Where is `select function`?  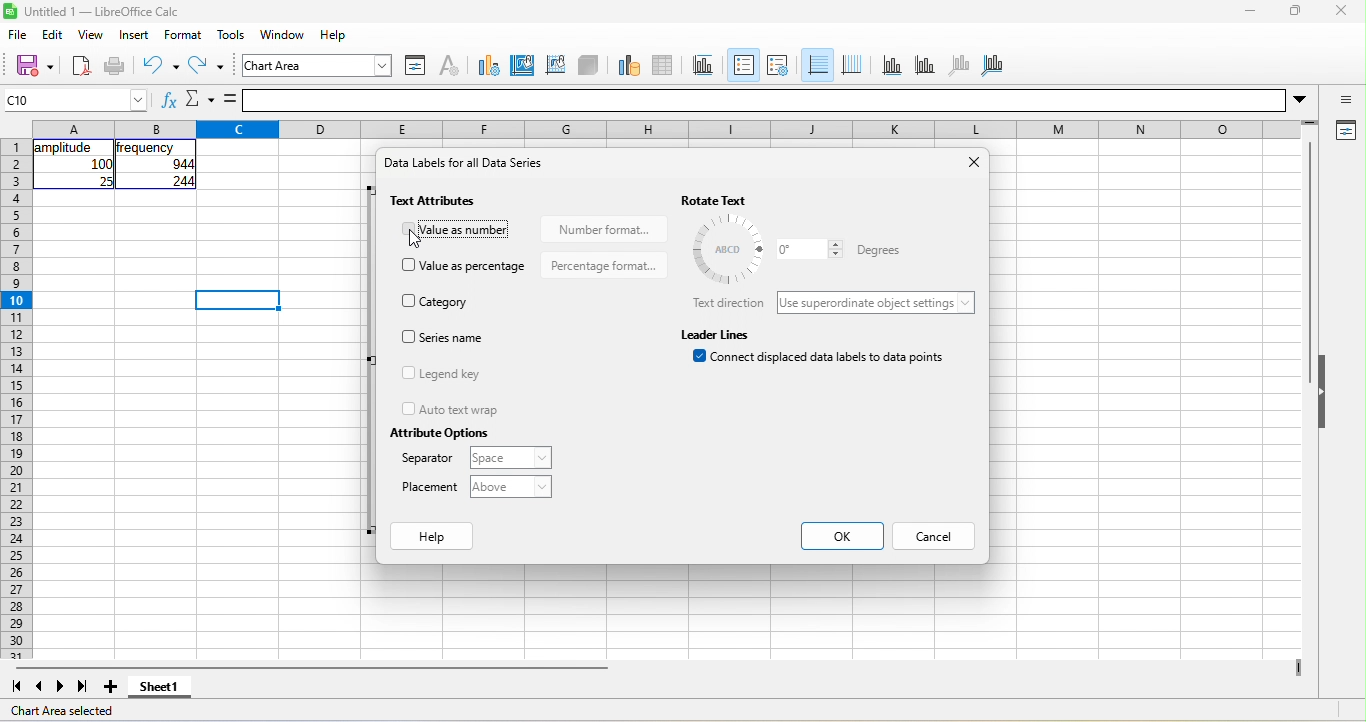 select function is located at coordinates (199, 101).